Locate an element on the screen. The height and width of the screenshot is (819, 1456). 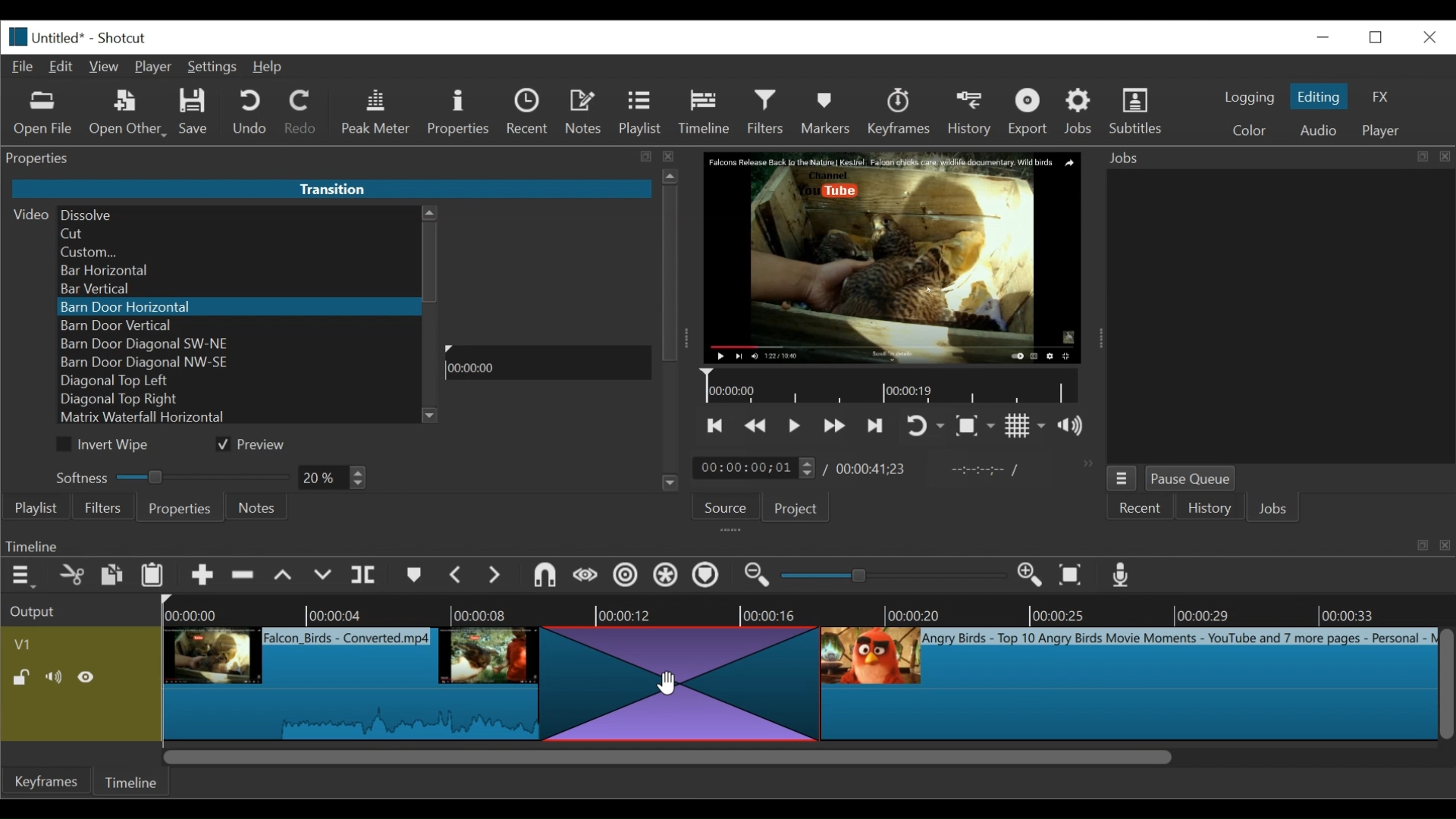
Current duration is located at coordinates (757, 467).